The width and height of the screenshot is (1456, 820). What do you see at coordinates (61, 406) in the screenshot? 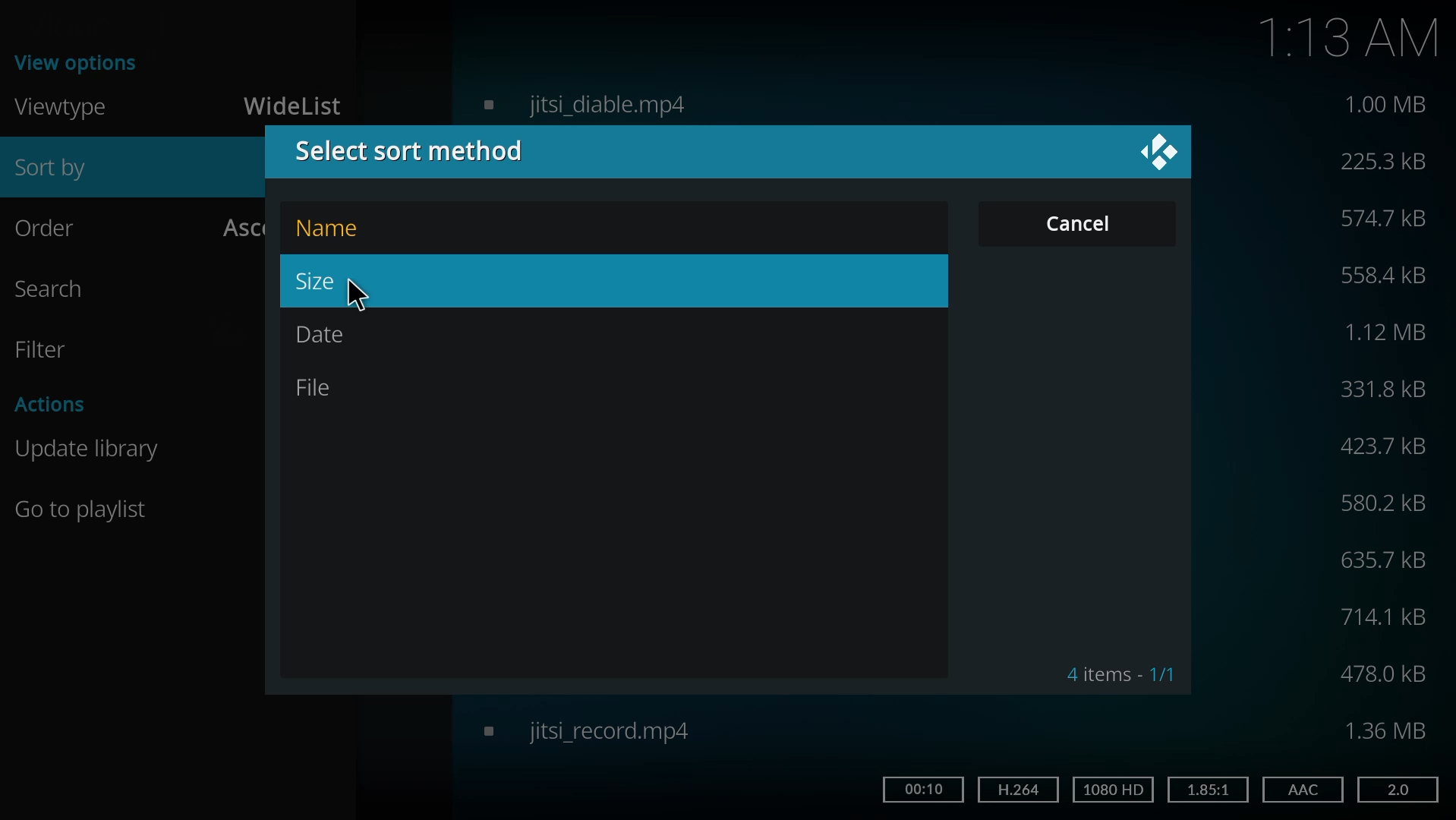
I see `actions` at bounding box center [61, 406].